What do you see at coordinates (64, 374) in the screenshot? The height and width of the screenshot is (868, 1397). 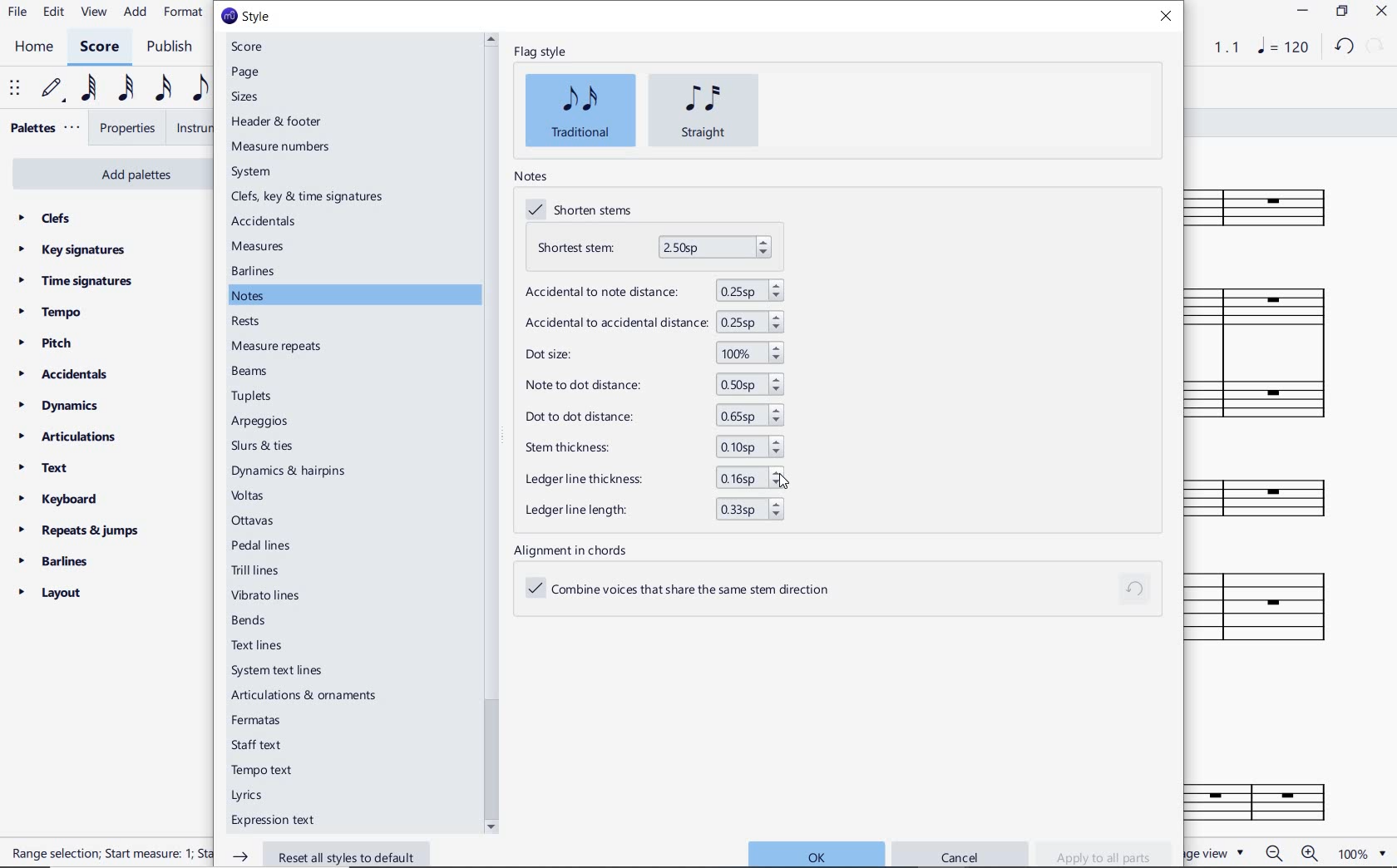 I see `accidentals` at bounding box center [64, 374].